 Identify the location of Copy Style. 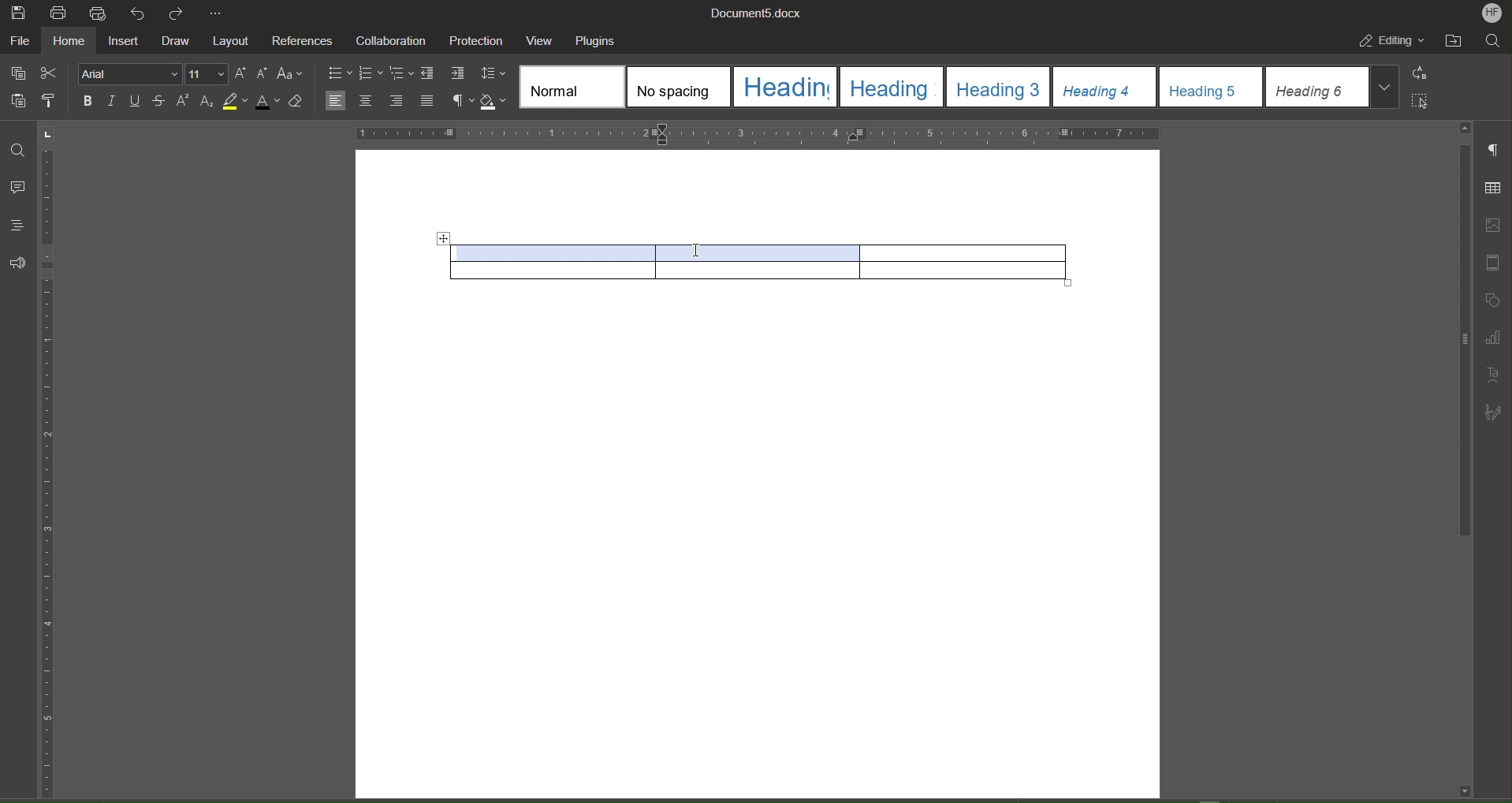
(53, 103).